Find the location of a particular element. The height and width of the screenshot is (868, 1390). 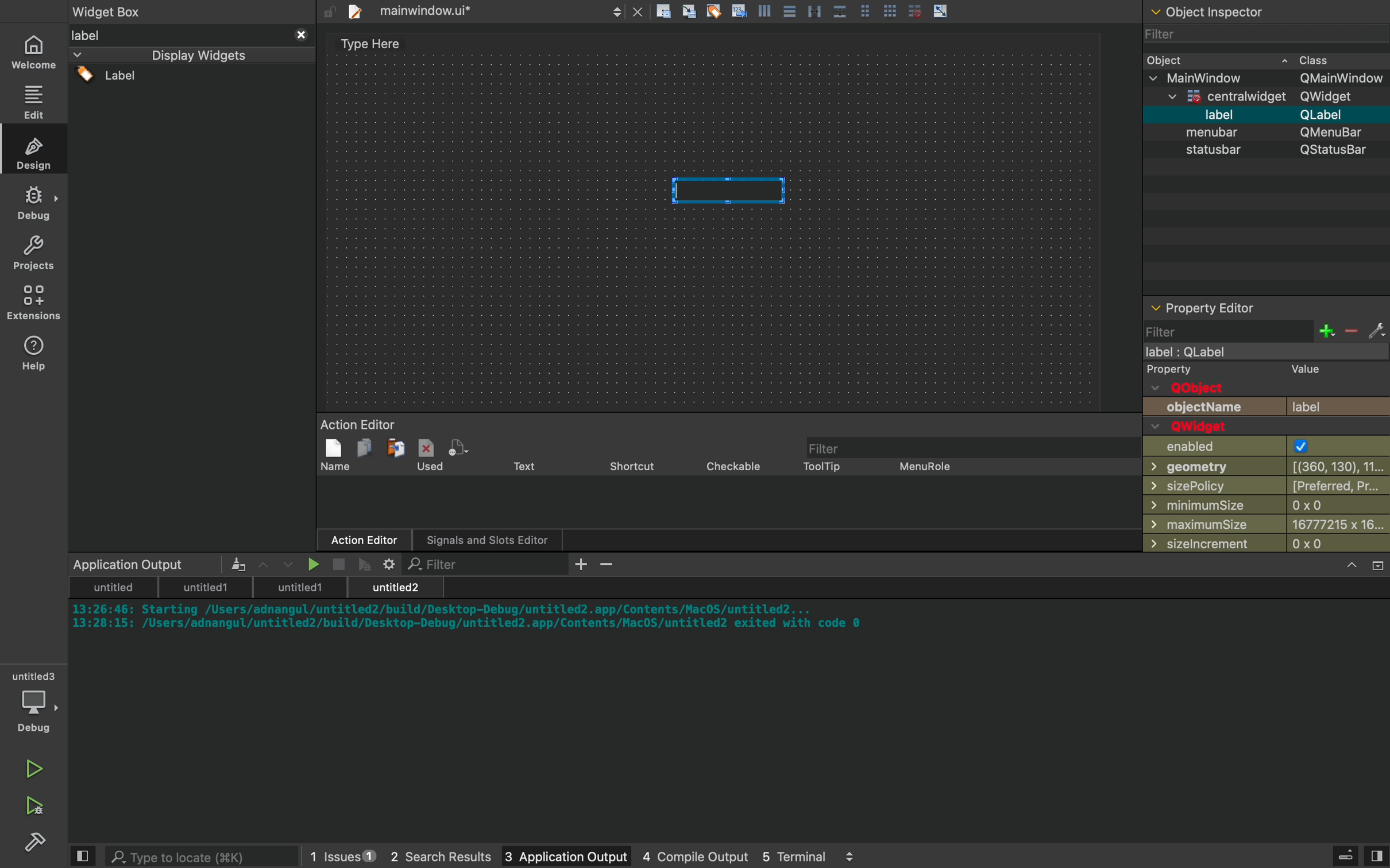

search bar is located at coordinates (188, 856).